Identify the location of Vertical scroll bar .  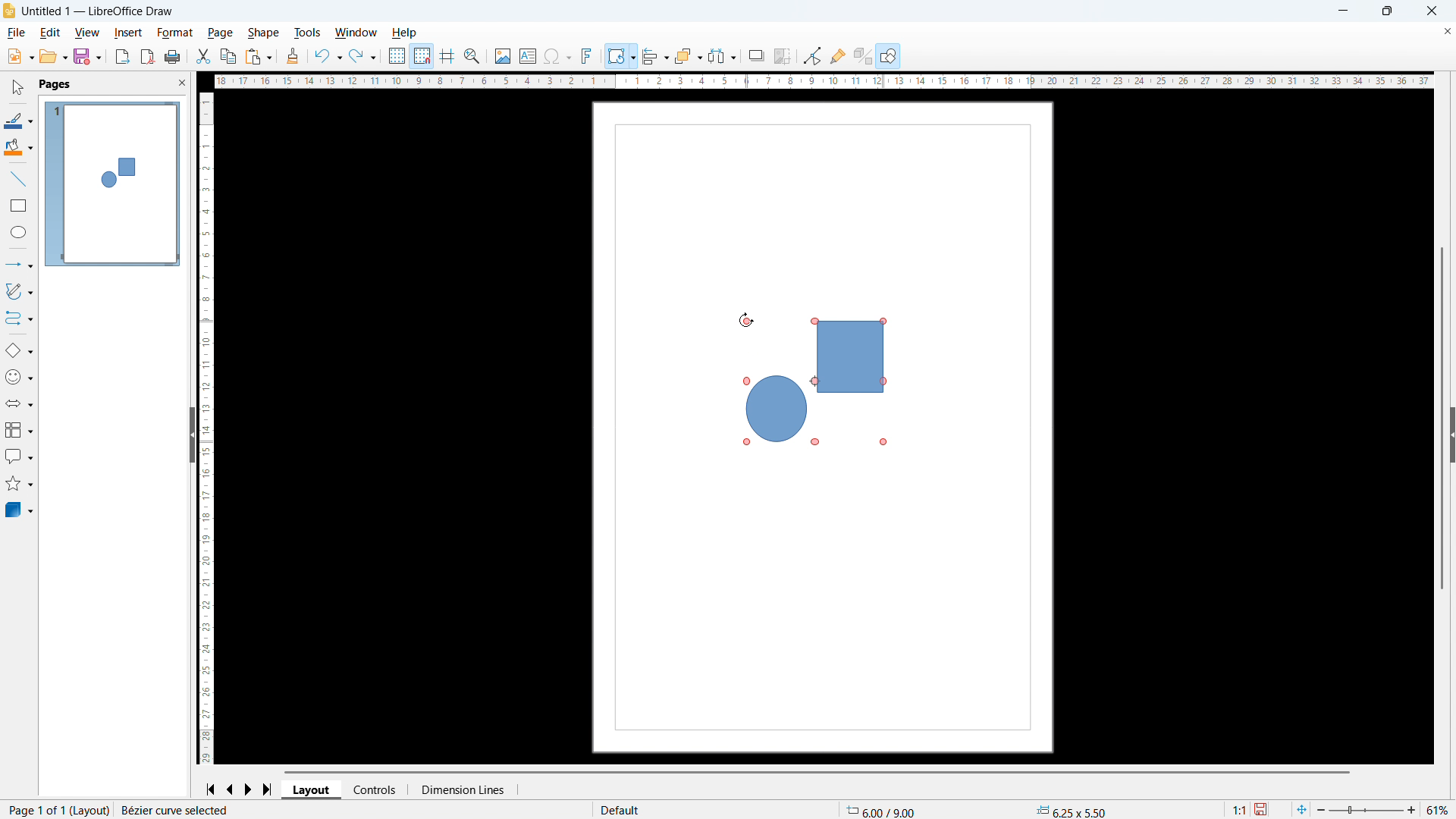
(1442, 317).